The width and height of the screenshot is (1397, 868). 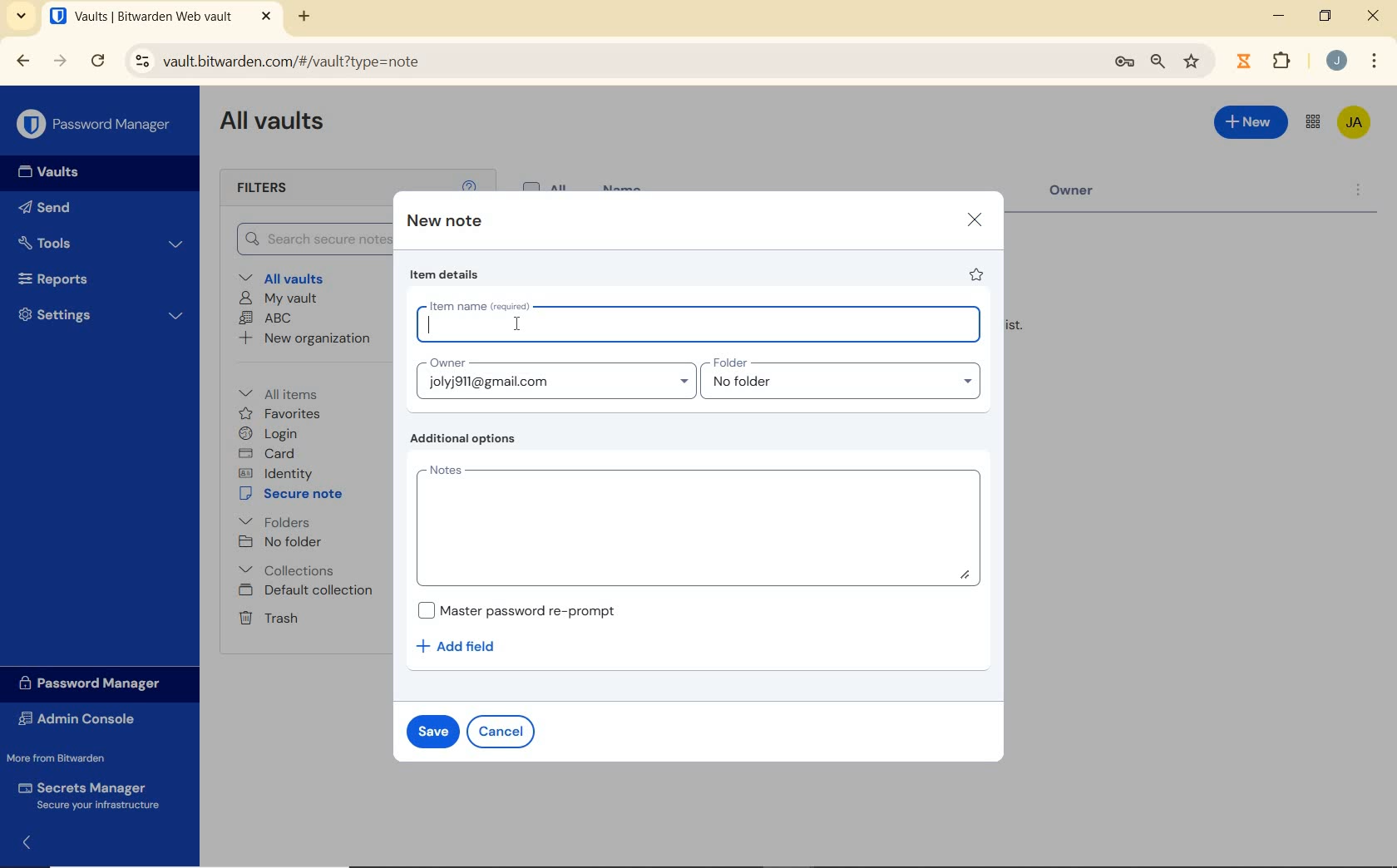 I want to click on restore, so click(x=1325, y=16).